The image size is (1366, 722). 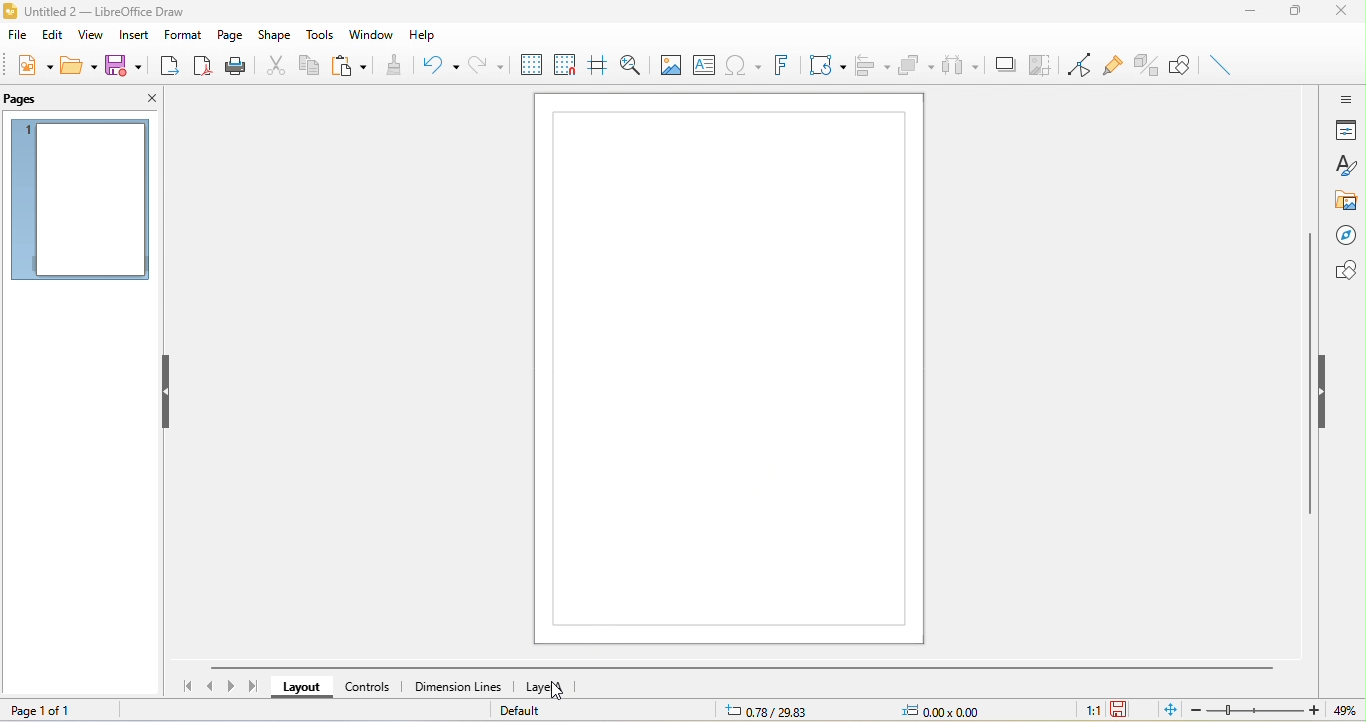 I want to click on 0.00x0.00, so click(x=930, y=708).